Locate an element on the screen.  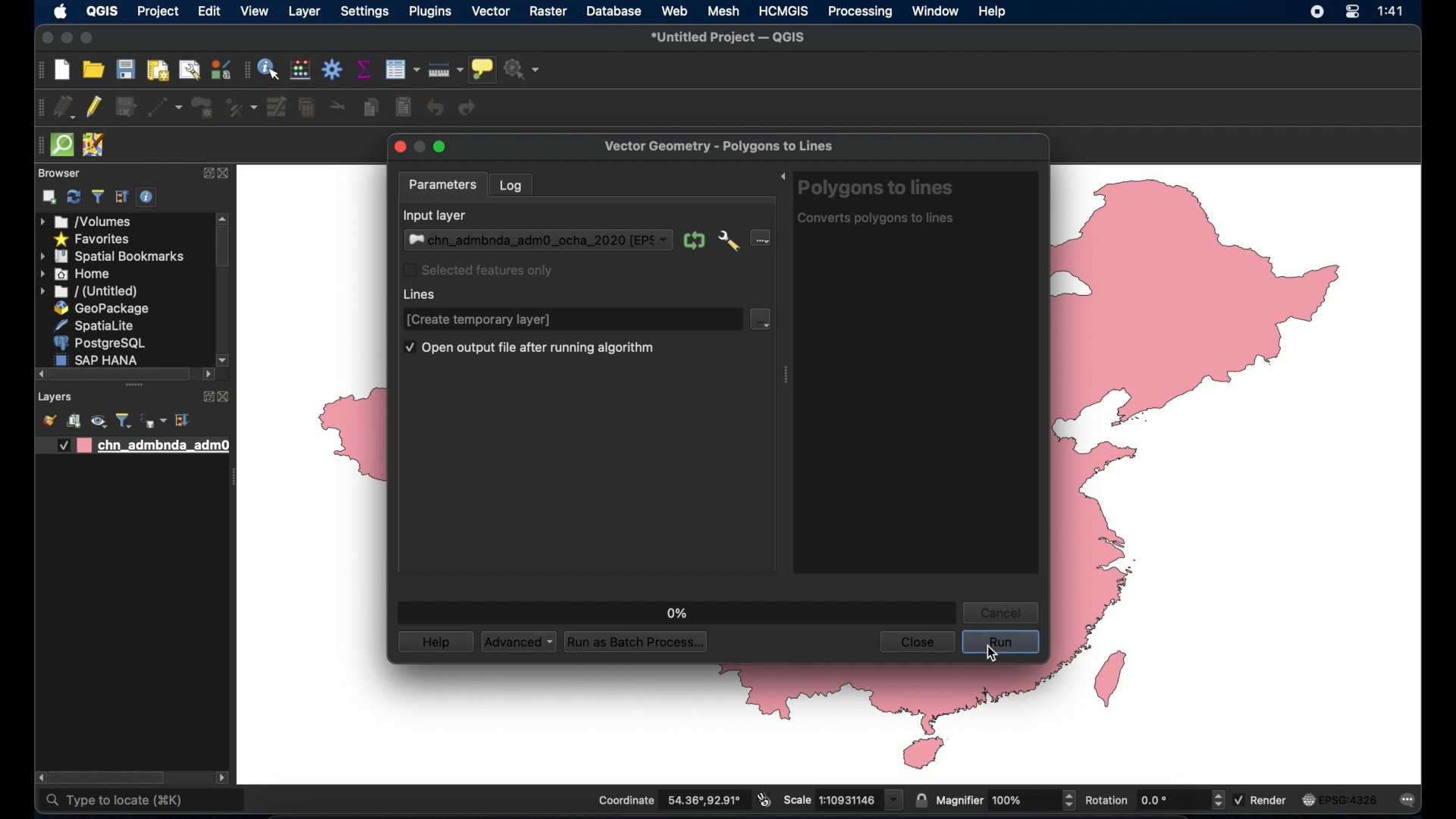
scrol lleft arrow is located at coordinates (207, 376).